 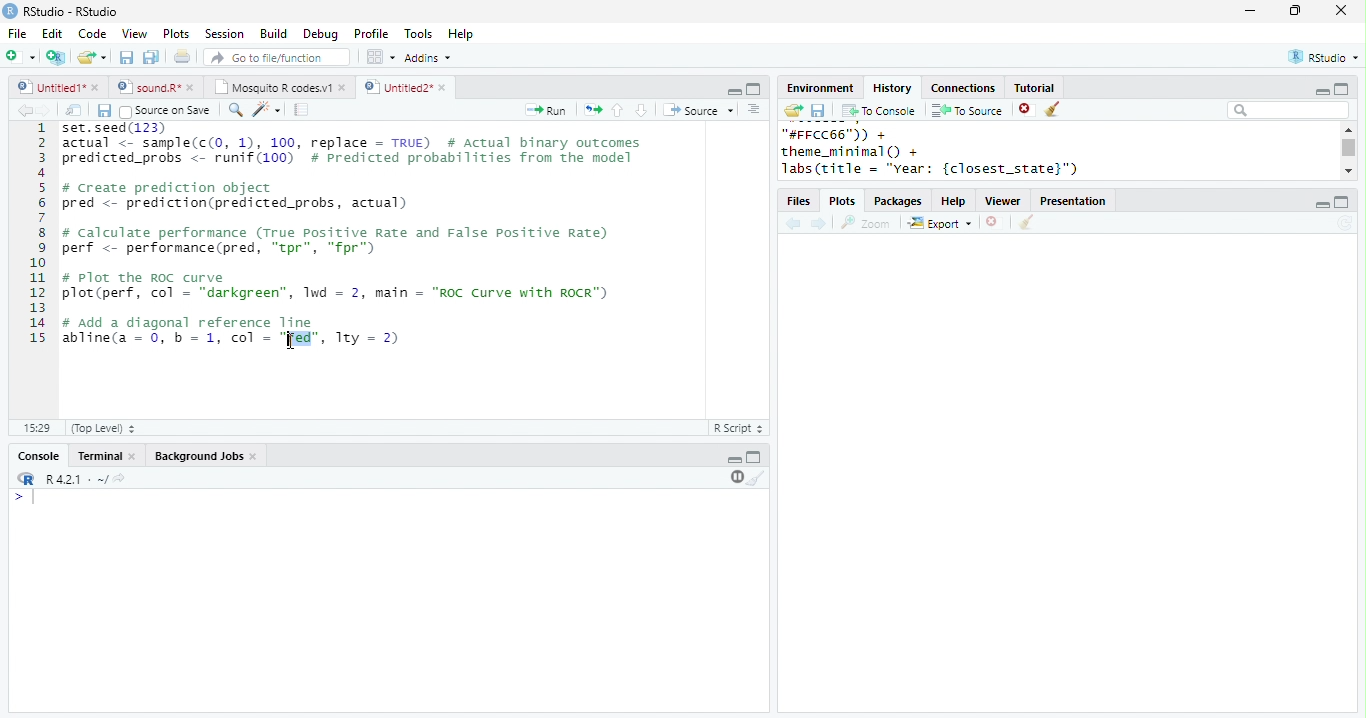 What do you see at coordinates (1295, 11) in the screenshot?
I see `resize` at bounding box center [1295, 11].